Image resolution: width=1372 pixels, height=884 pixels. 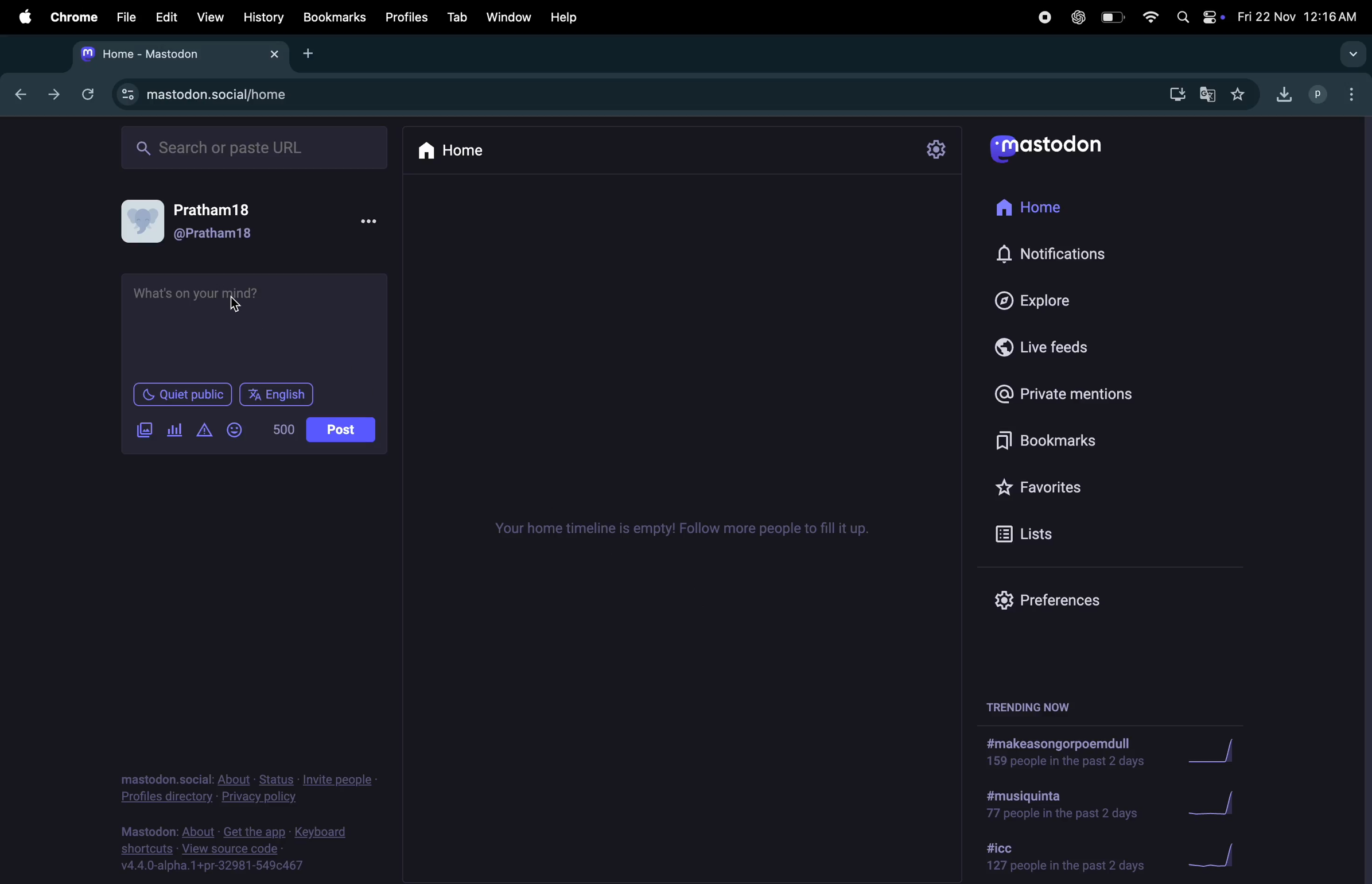 What do you see at coordinates (234, 431) in the screenshot?
I see `add emoji` at bounding box center [234, 431].